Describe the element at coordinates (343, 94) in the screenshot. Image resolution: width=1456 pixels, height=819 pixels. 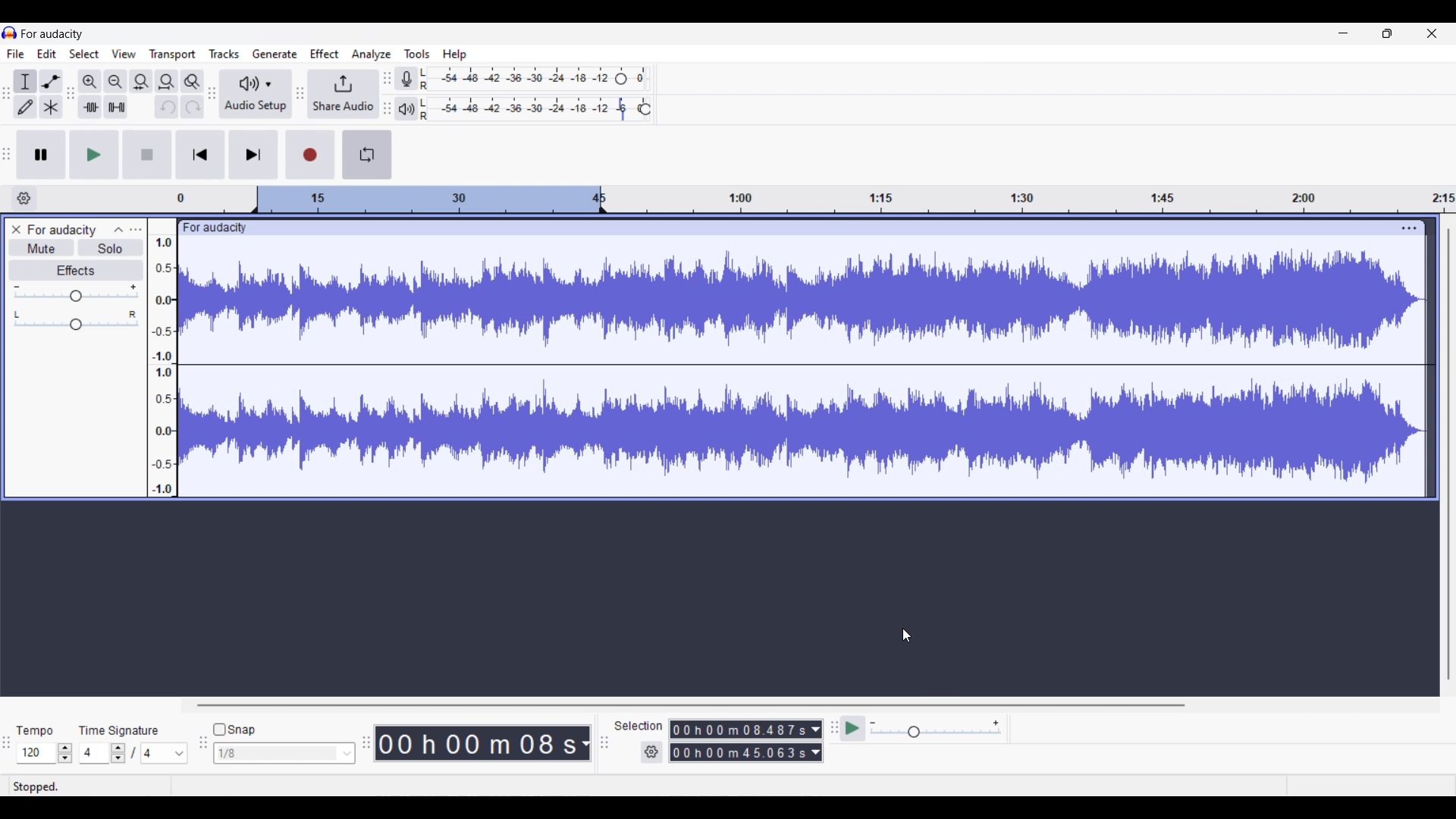
I see `Share audio` at that location.